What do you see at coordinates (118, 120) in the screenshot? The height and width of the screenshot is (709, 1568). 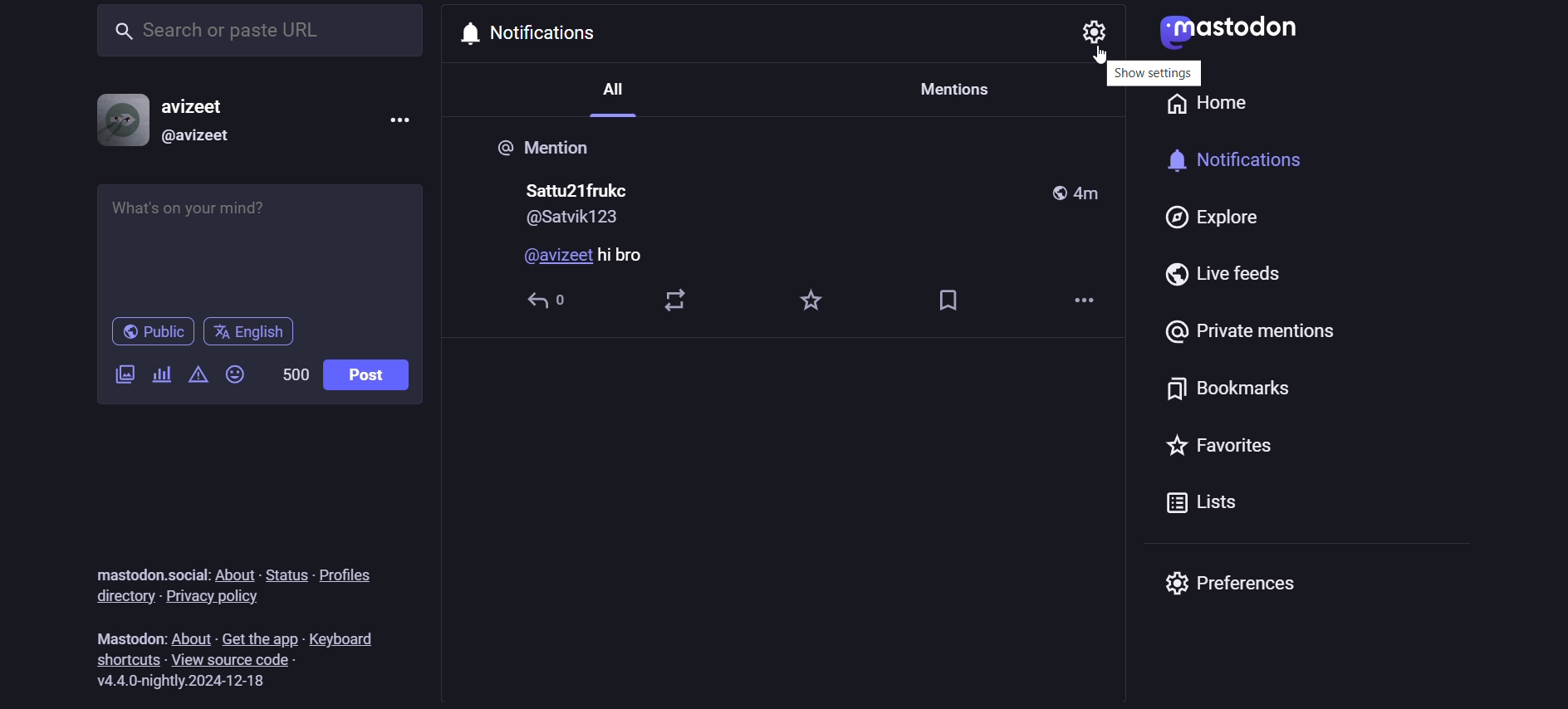 I see `profile picture` at bounding box center [118, 120].